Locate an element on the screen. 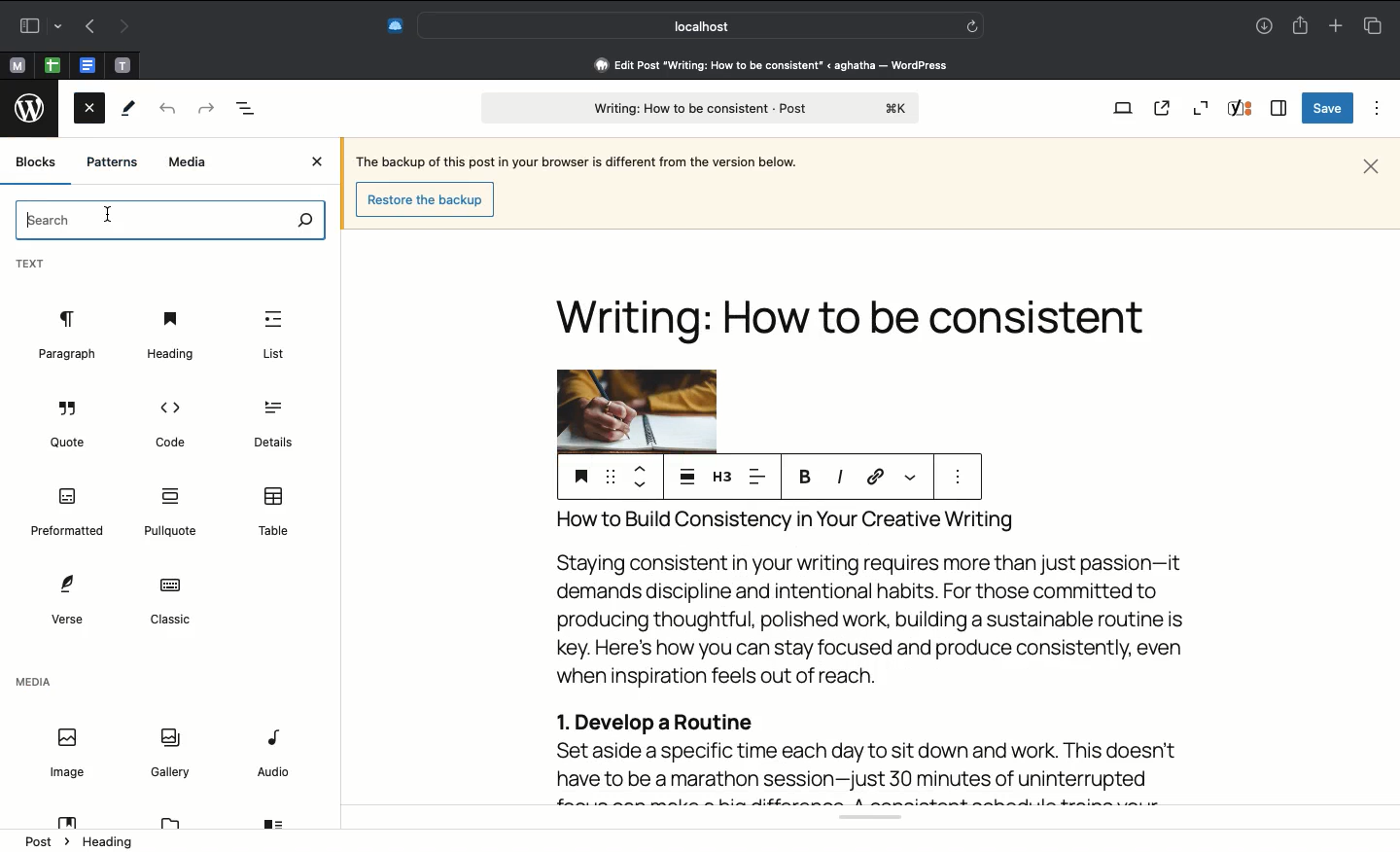  H3 is located at coordinates (721, 476).